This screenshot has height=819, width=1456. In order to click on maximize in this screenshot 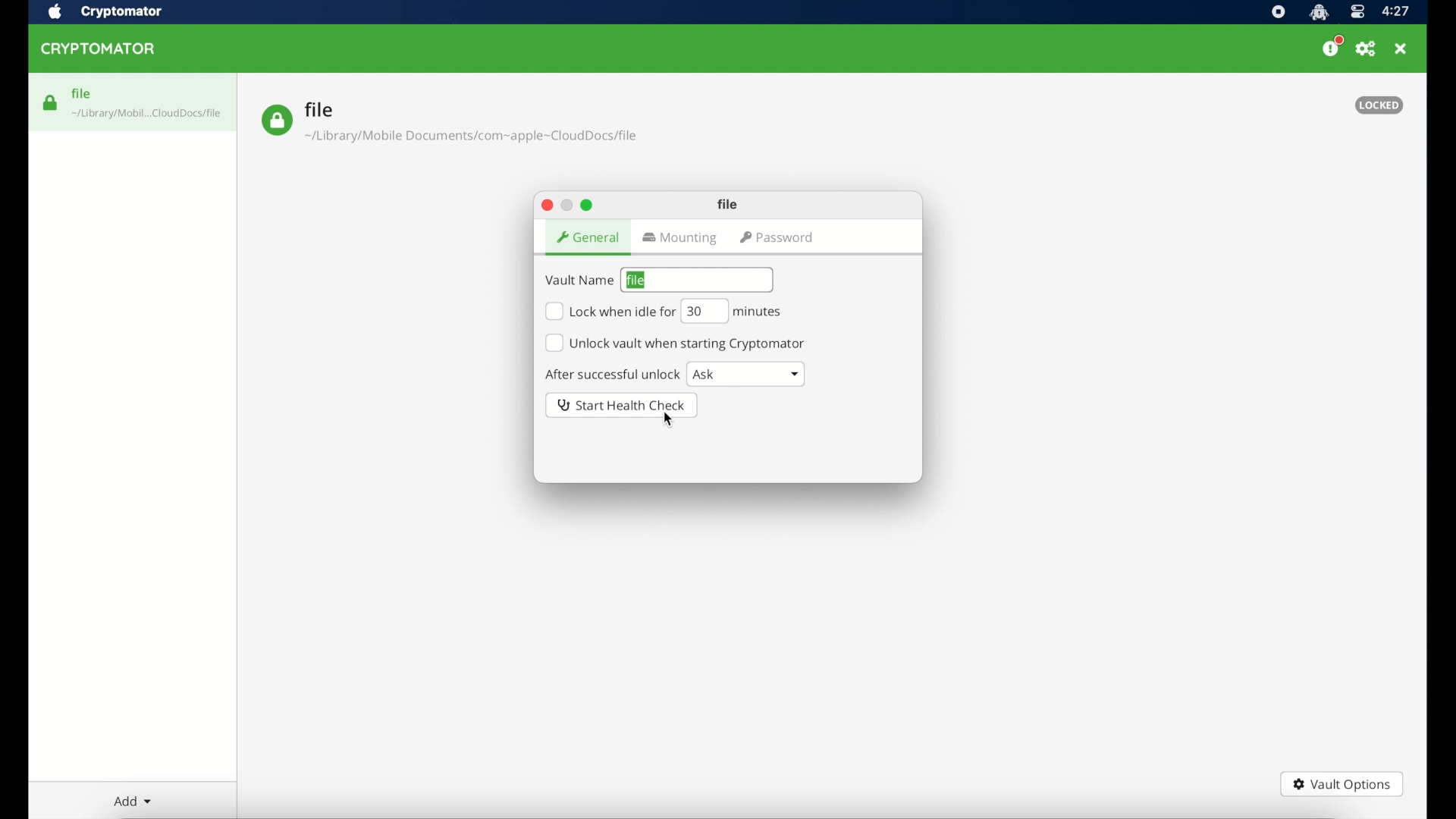, I will do `click(588, 206)`.